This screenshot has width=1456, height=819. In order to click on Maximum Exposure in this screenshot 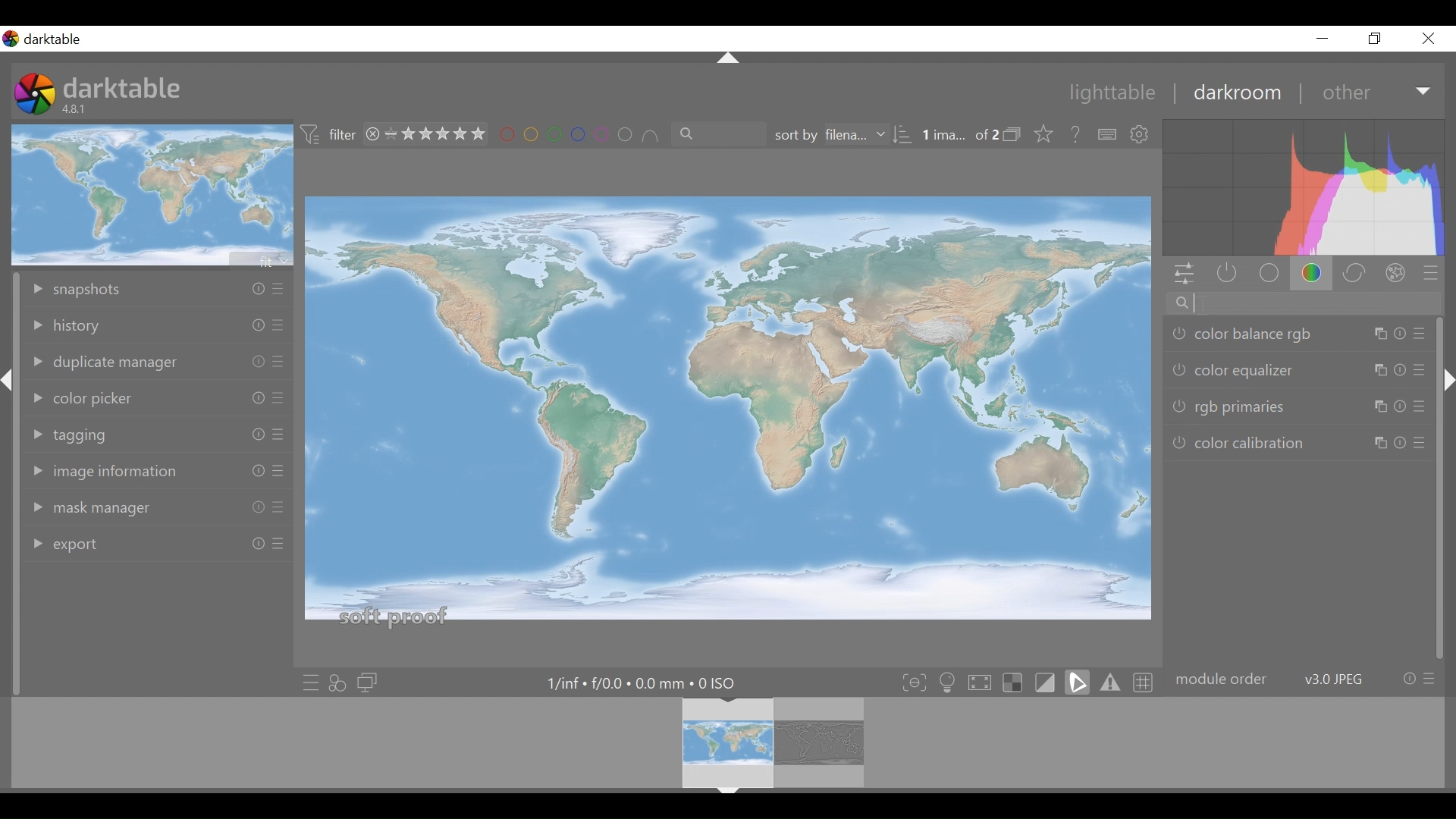, I will do `click(639, 682)`.